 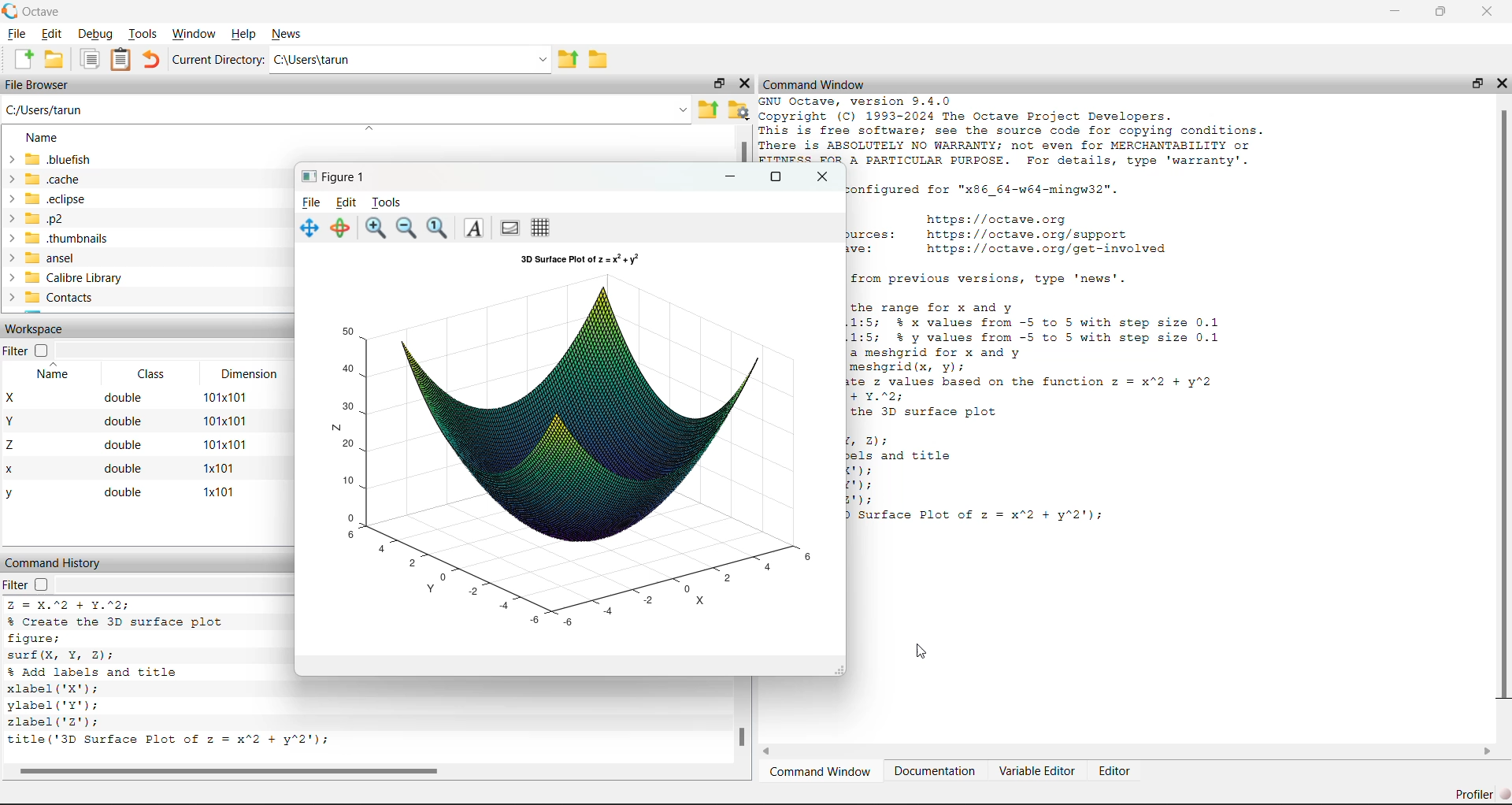 What do you see at coordinates (370, 772) in the screenshot?
I see `Scroll` at bounding box center [370, 772].